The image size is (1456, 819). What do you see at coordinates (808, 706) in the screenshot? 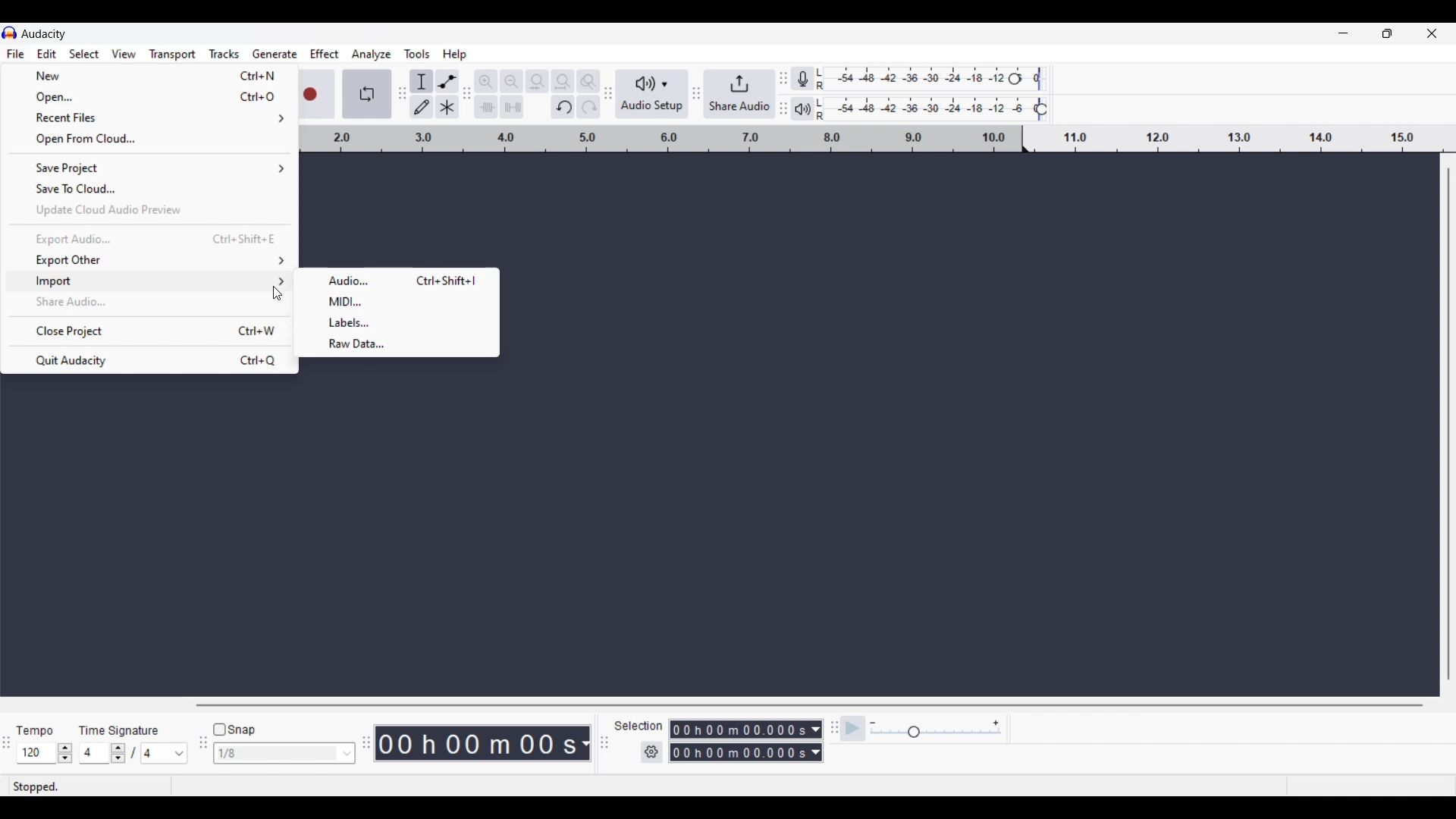
I see `Horizontal slide bar` at bounding box center [808, 706].